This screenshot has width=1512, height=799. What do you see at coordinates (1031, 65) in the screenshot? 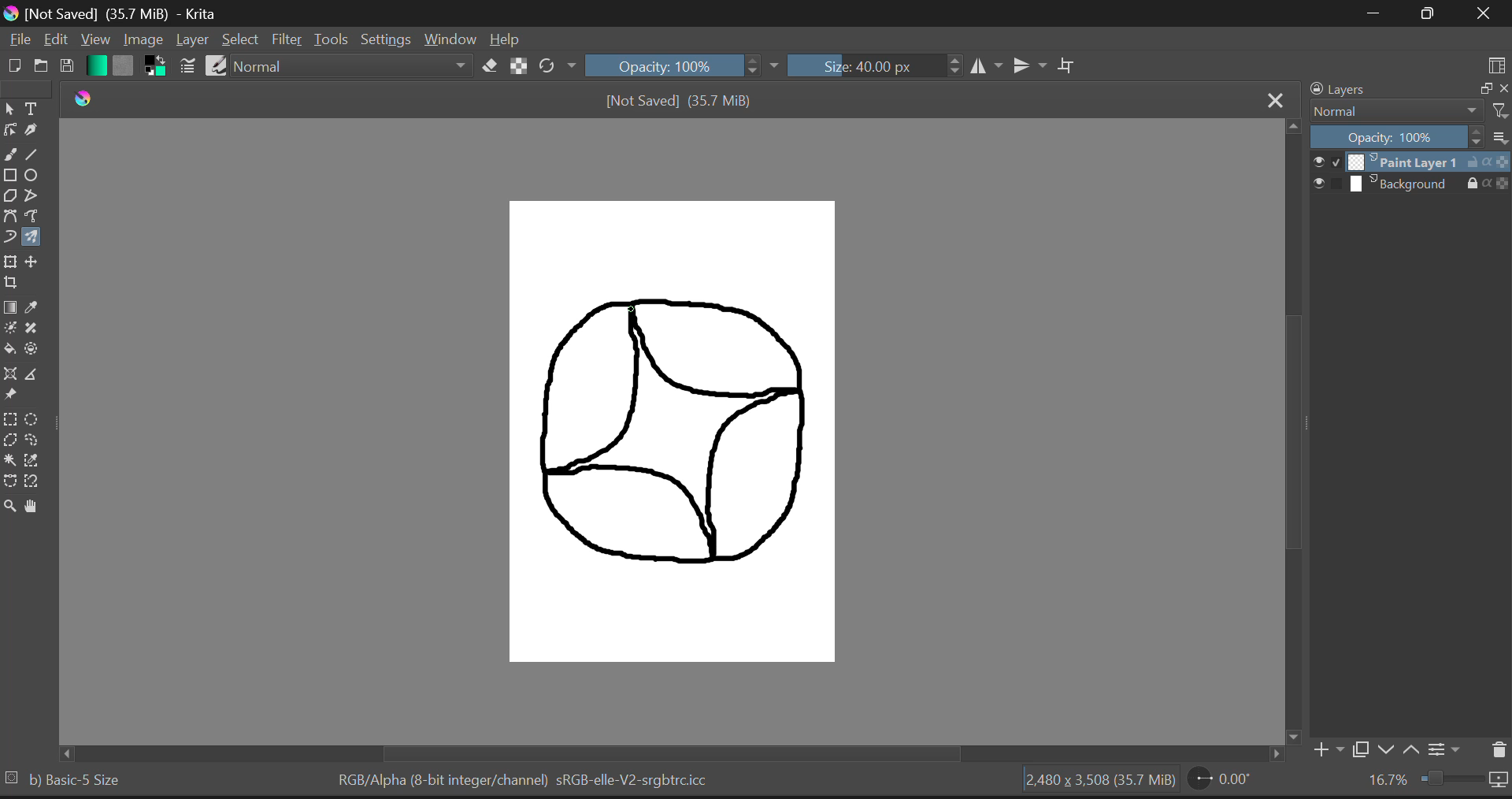
I see `Horizontal Mirror Flip` at bounding box center [1031, 65].